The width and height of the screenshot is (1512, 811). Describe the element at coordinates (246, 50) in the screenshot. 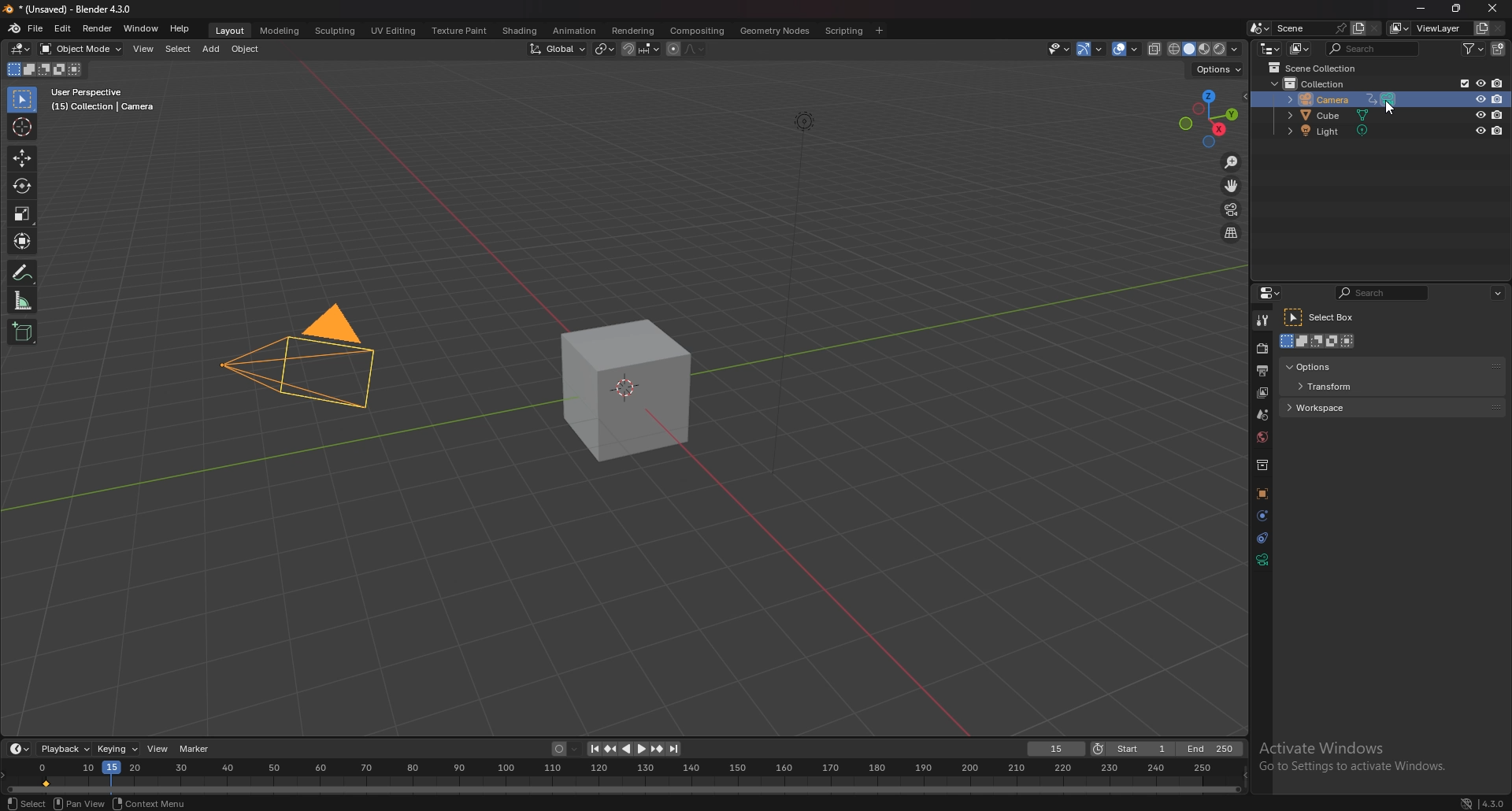

I see `object` at that location.